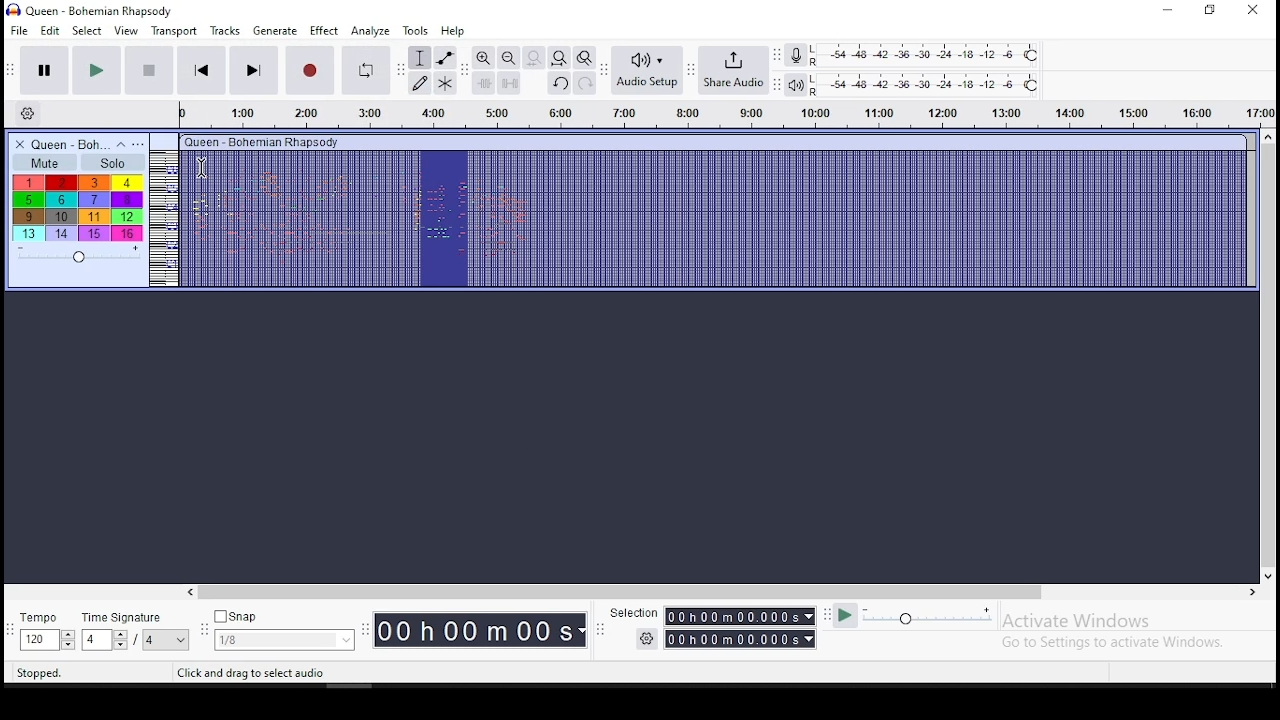  I want to click on multi tool, so click(446, 84).